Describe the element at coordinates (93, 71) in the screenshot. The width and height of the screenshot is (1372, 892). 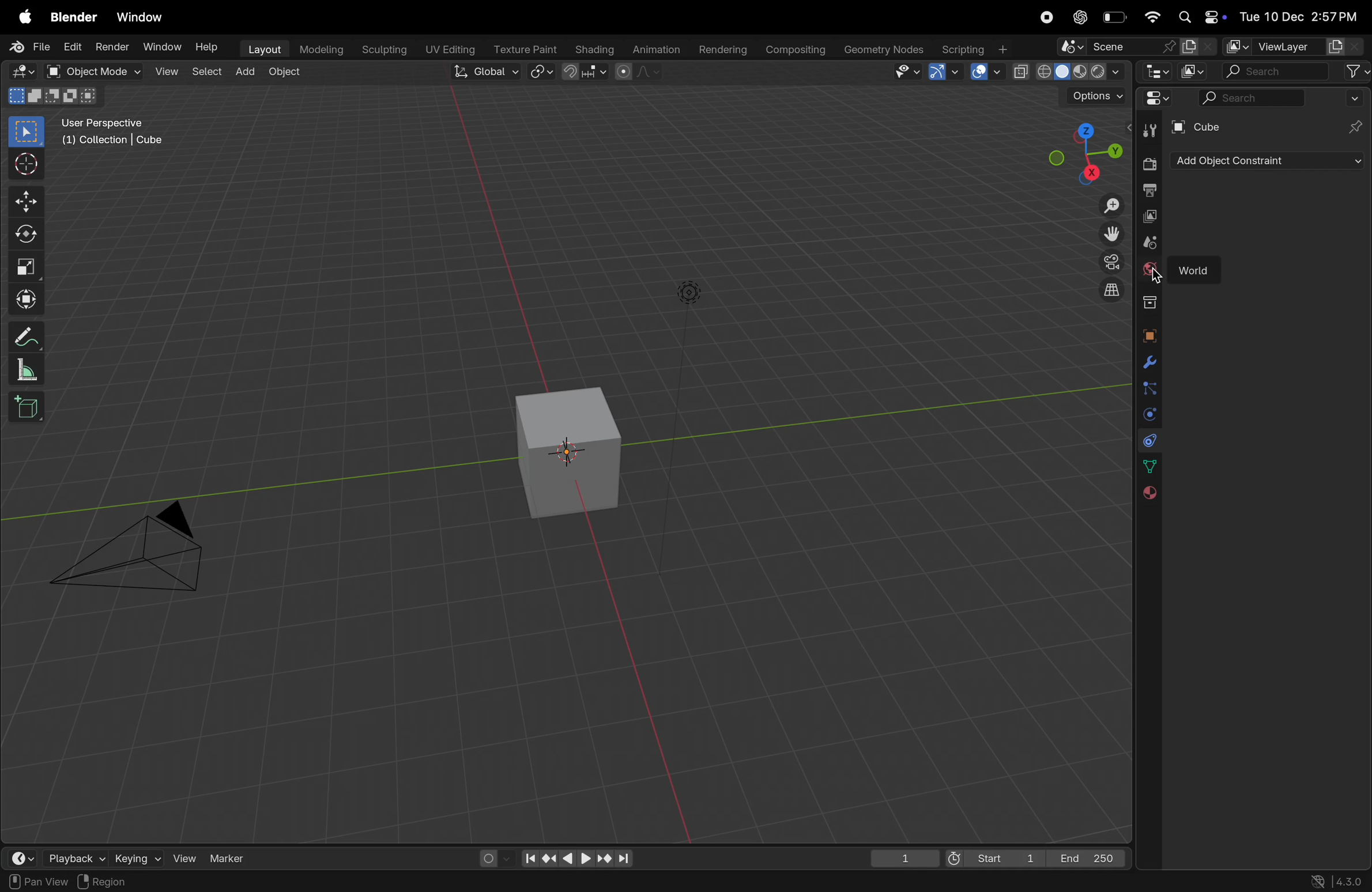
I see `object mode` at that location.